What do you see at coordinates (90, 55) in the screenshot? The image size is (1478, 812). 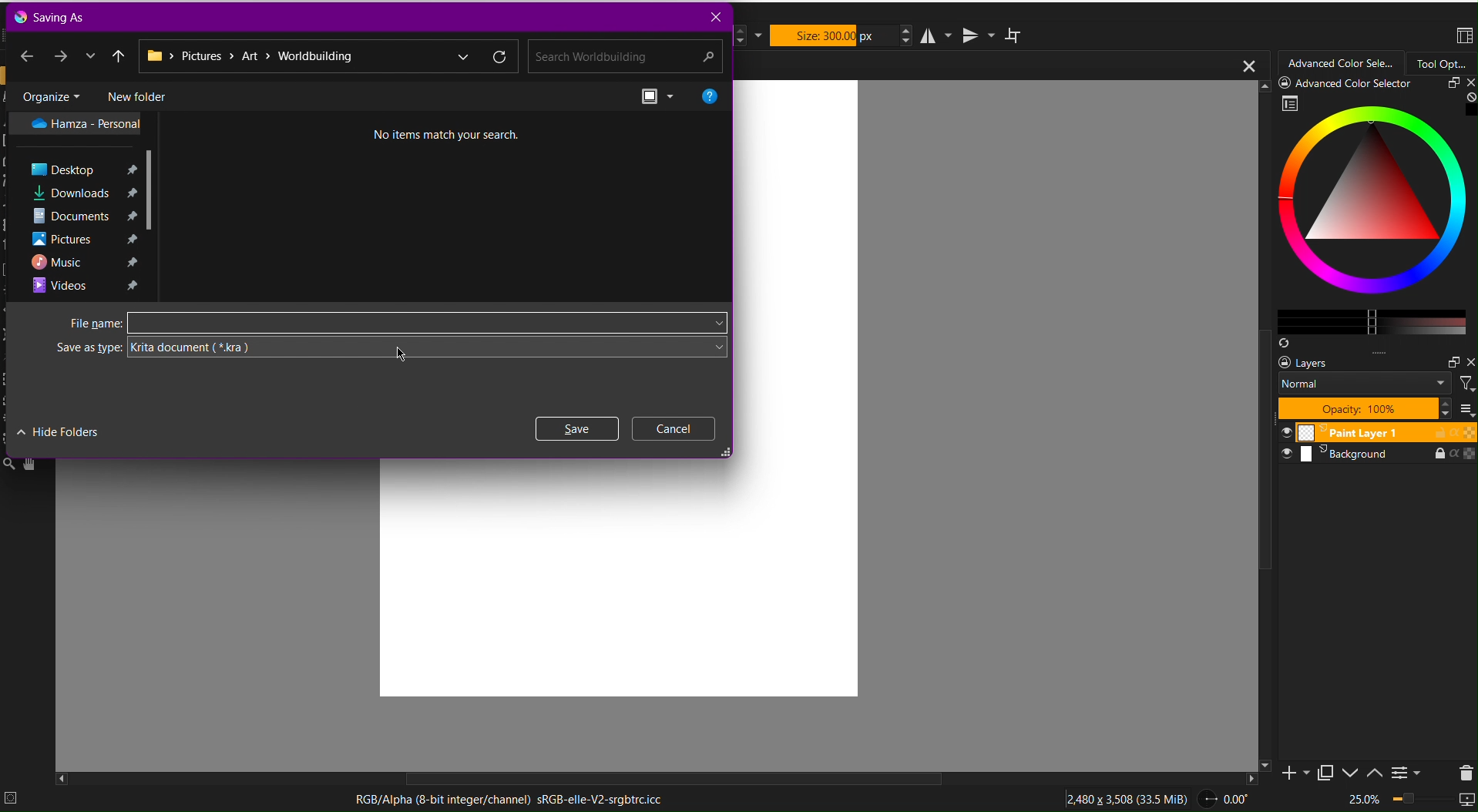 I see `Drop` at bounding box center [90, 55].